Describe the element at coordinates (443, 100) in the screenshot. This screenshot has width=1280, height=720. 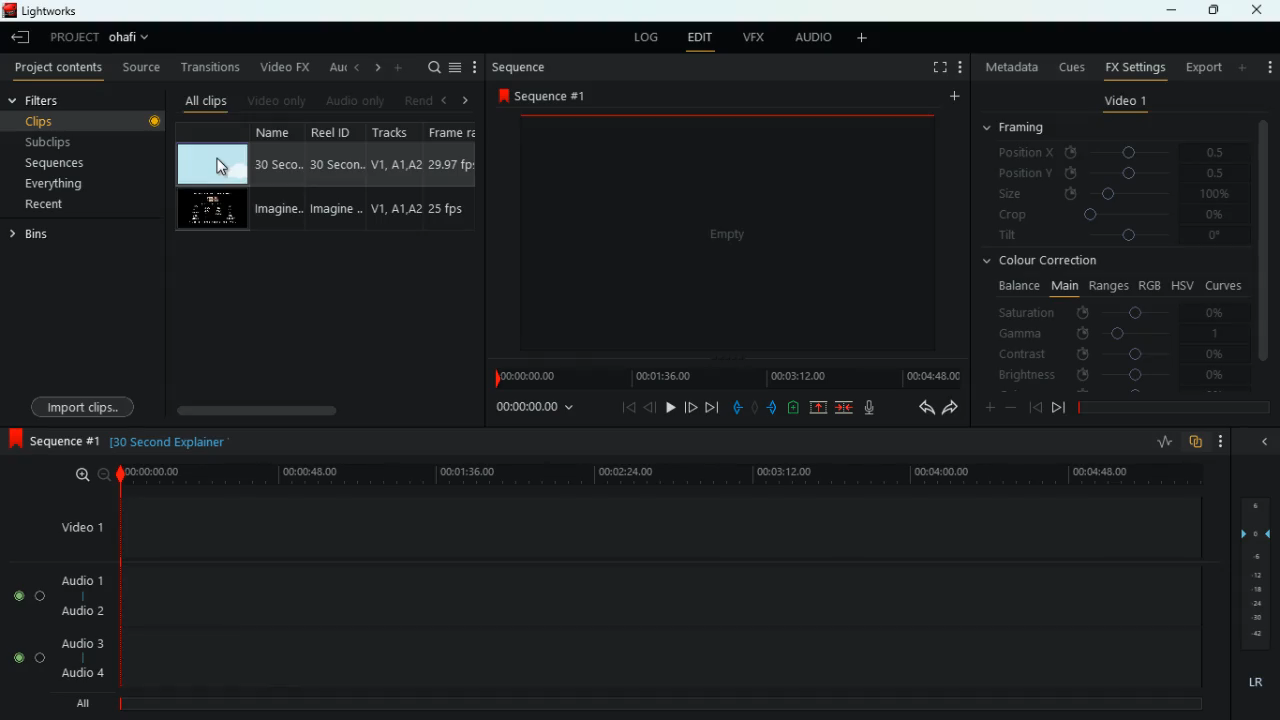
I see `left` at that location.